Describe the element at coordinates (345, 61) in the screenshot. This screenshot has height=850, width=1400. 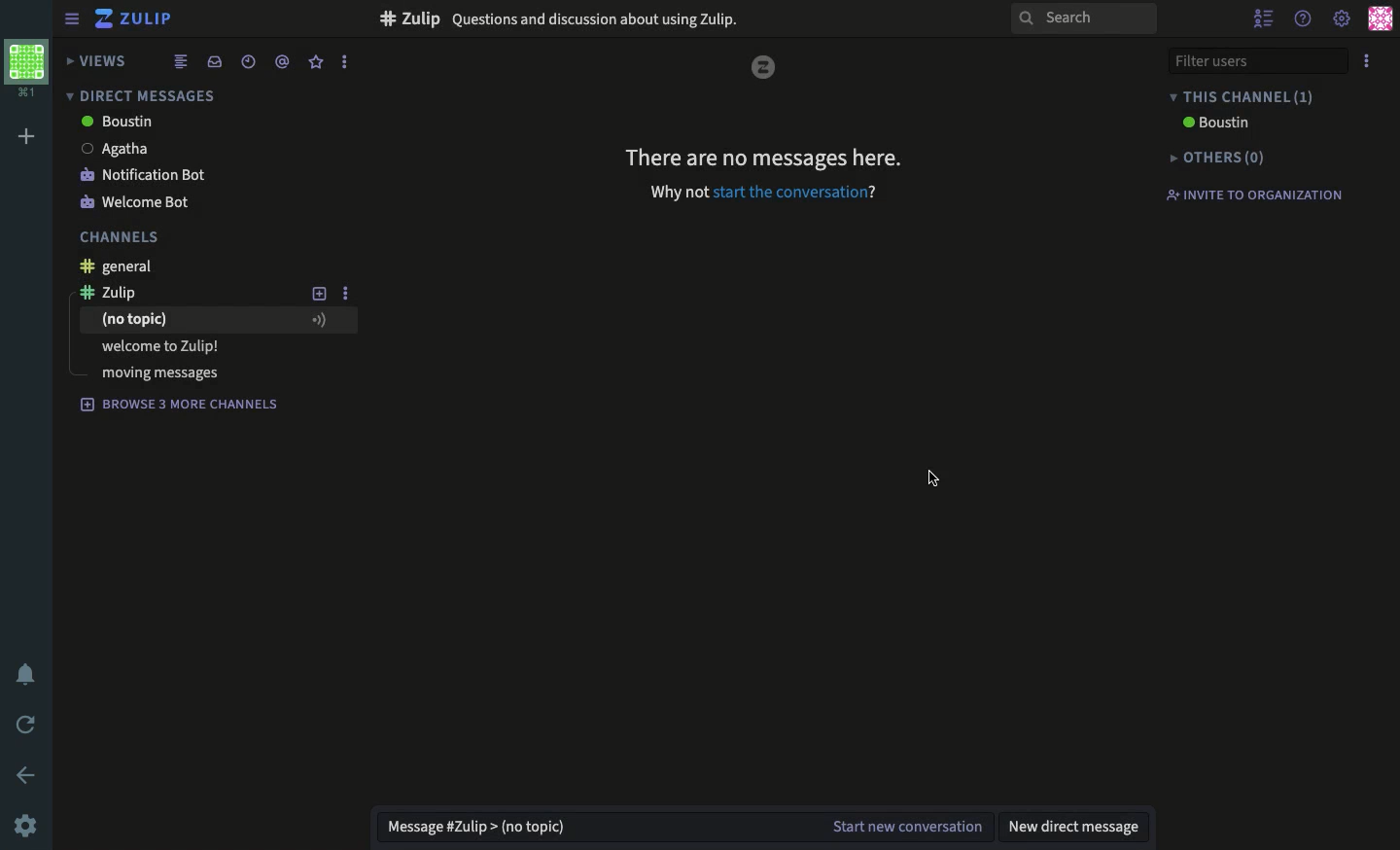
I see `options` at that location.